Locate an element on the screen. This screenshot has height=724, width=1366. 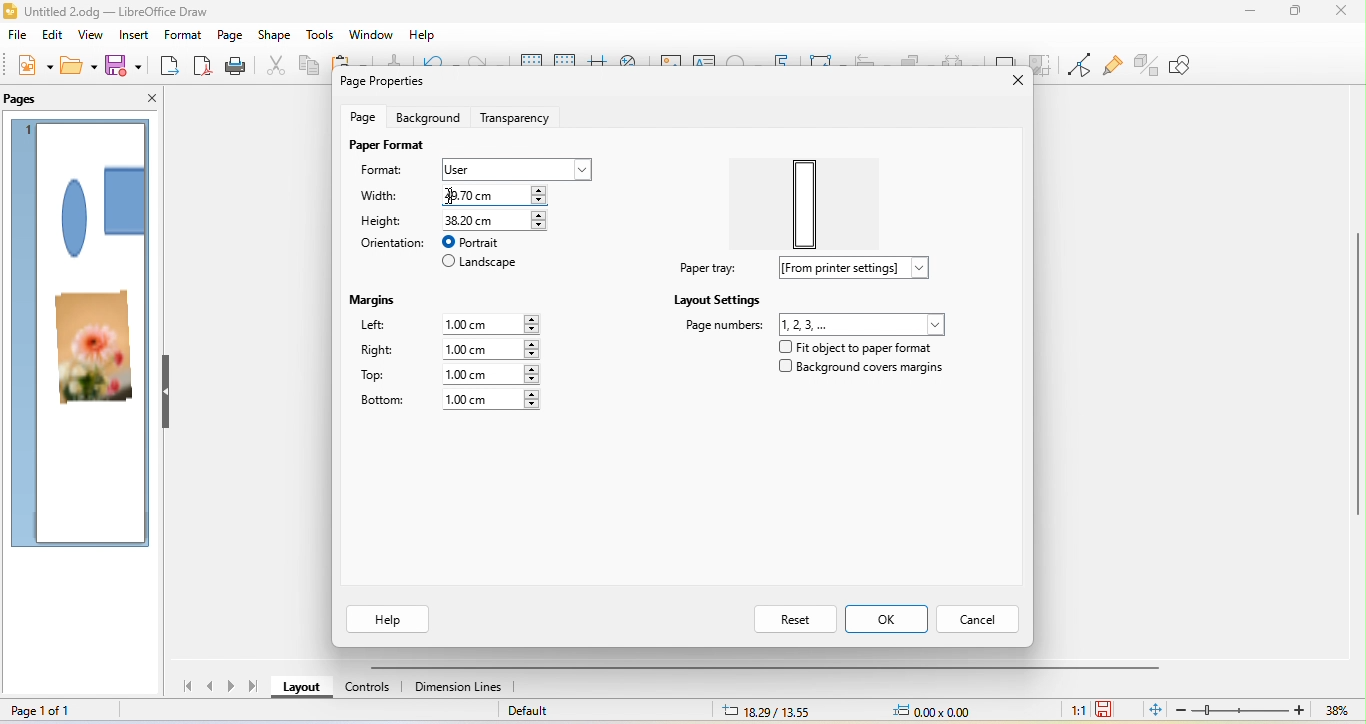
background is located at coordinates (429, 119).